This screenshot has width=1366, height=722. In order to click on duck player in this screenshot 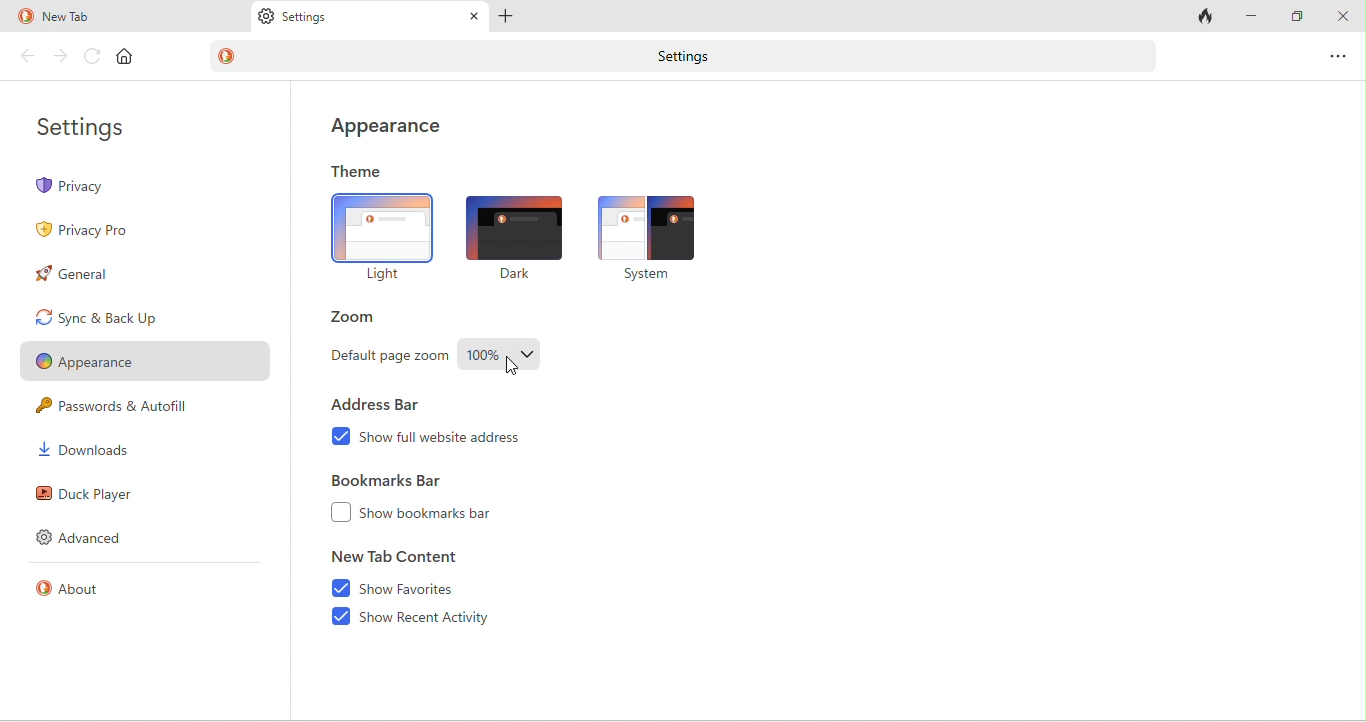, I will do `click(92, 494)`.